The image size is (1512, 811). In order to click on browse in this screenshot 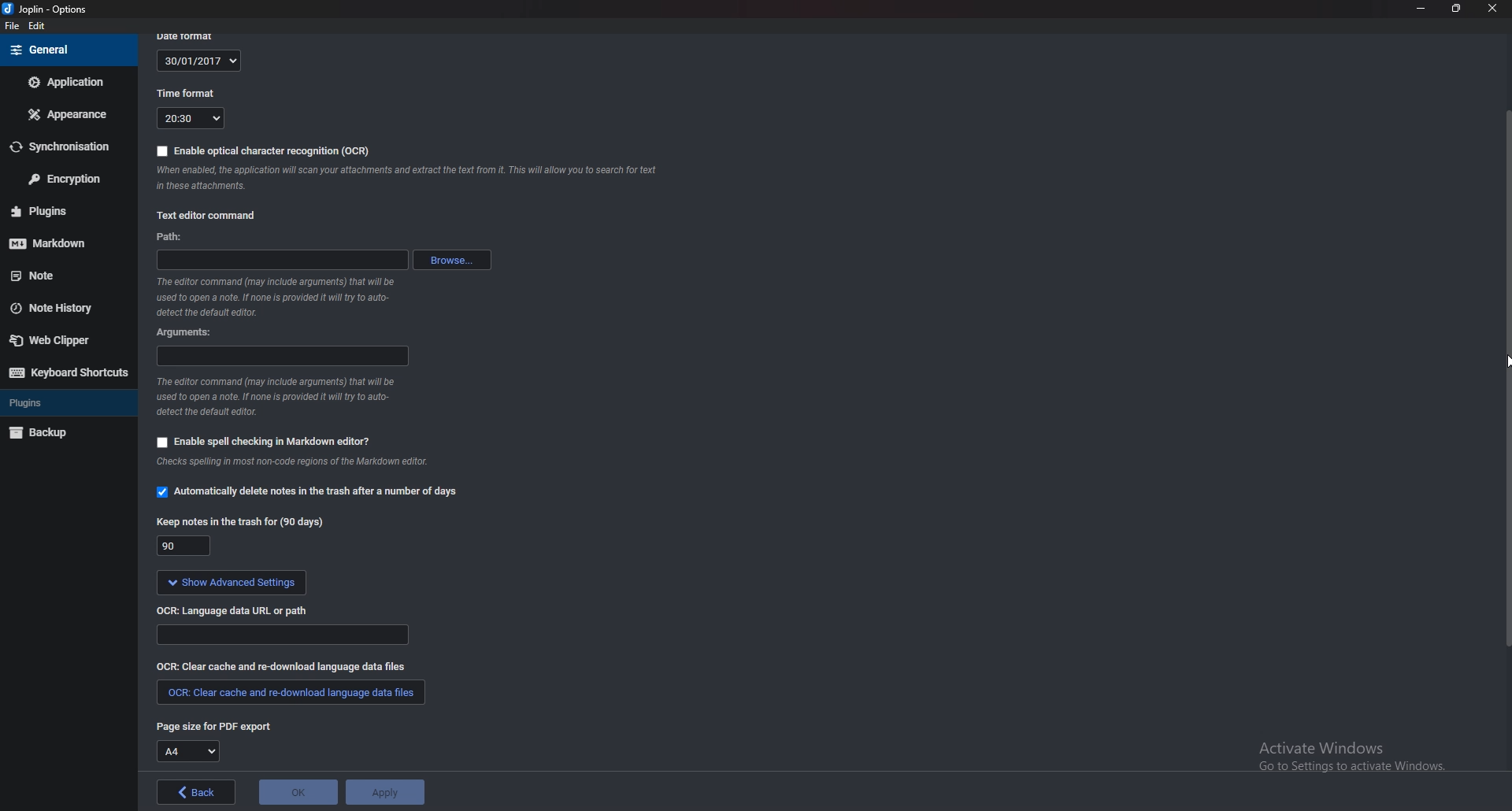, I will do `click(450, 260)`.